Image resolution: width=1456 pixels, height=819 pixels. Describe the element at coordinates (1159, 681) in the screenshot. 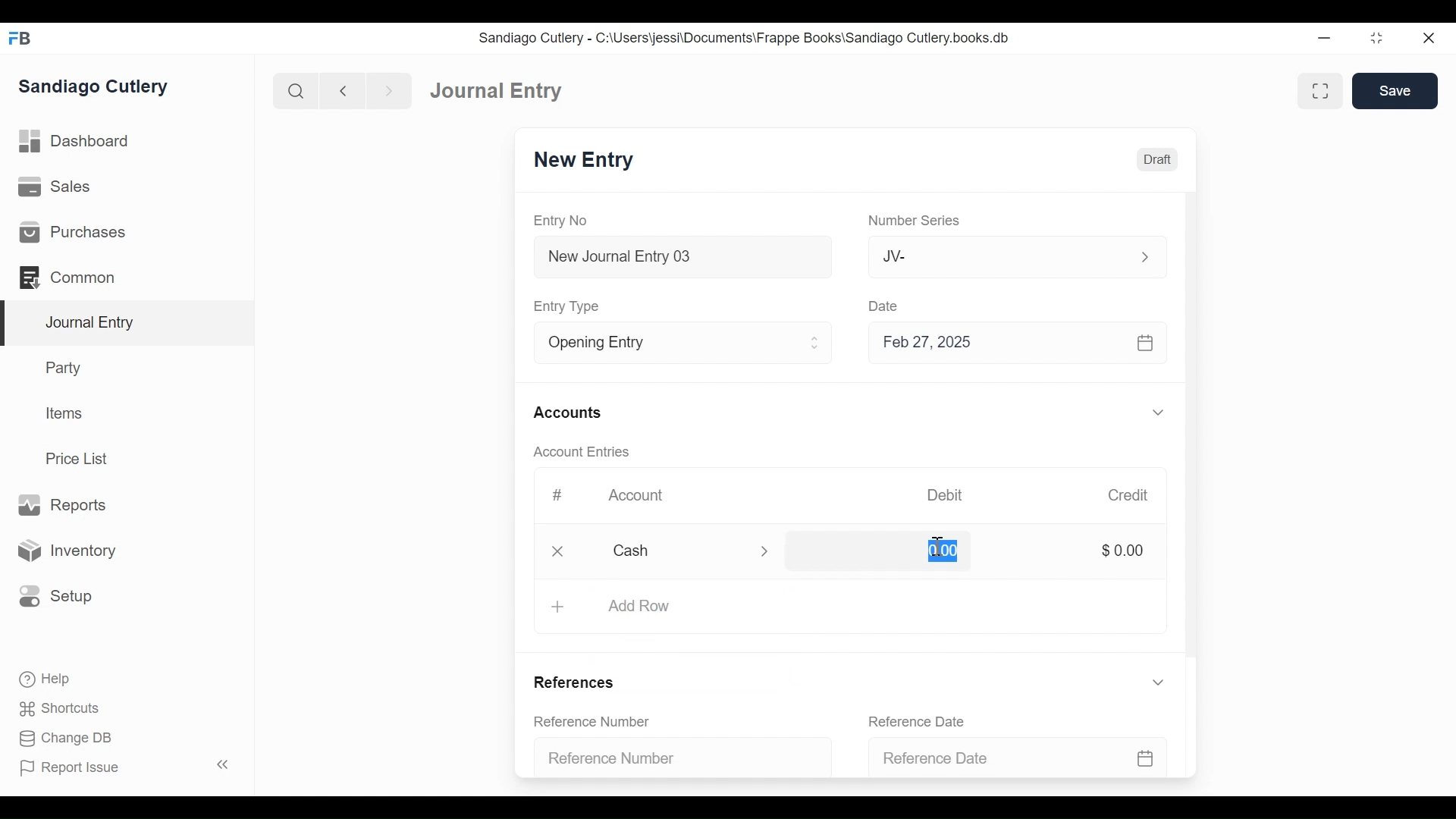

I see `Expand` at that location.